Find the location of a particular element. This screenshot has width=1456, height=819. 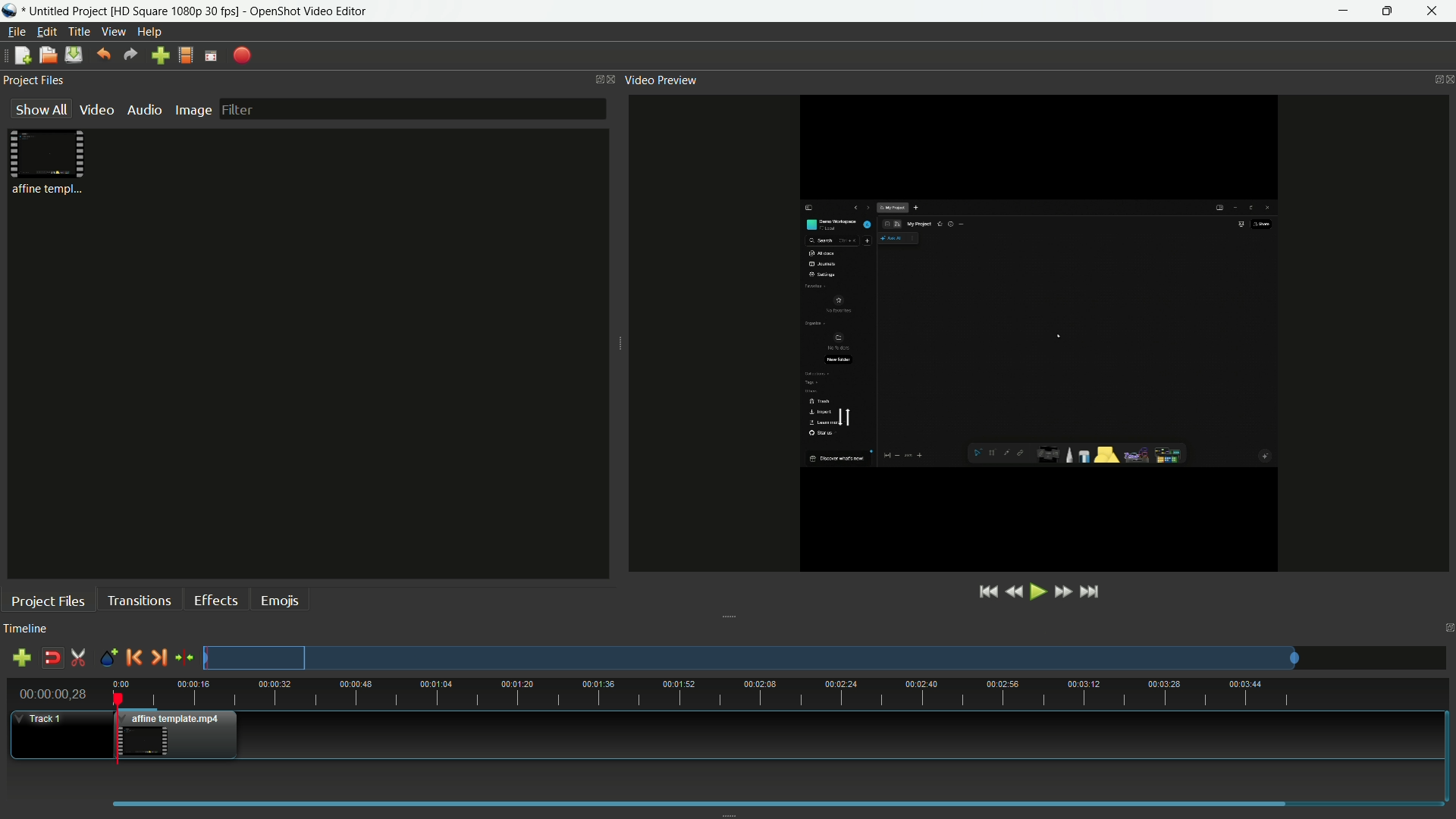

full screen is located at coordinates (211, 55).